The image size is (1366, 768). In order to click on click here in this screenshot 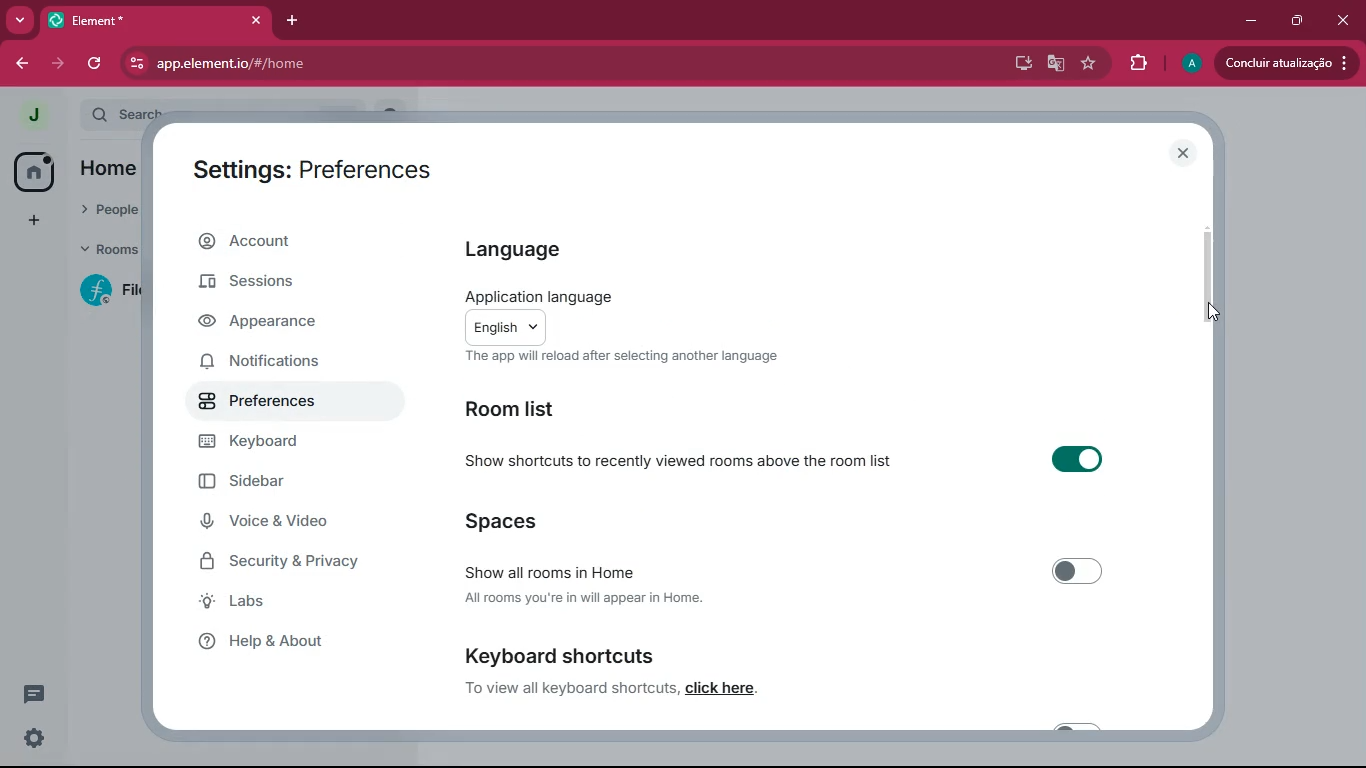, I will do `click(739, 690)`.